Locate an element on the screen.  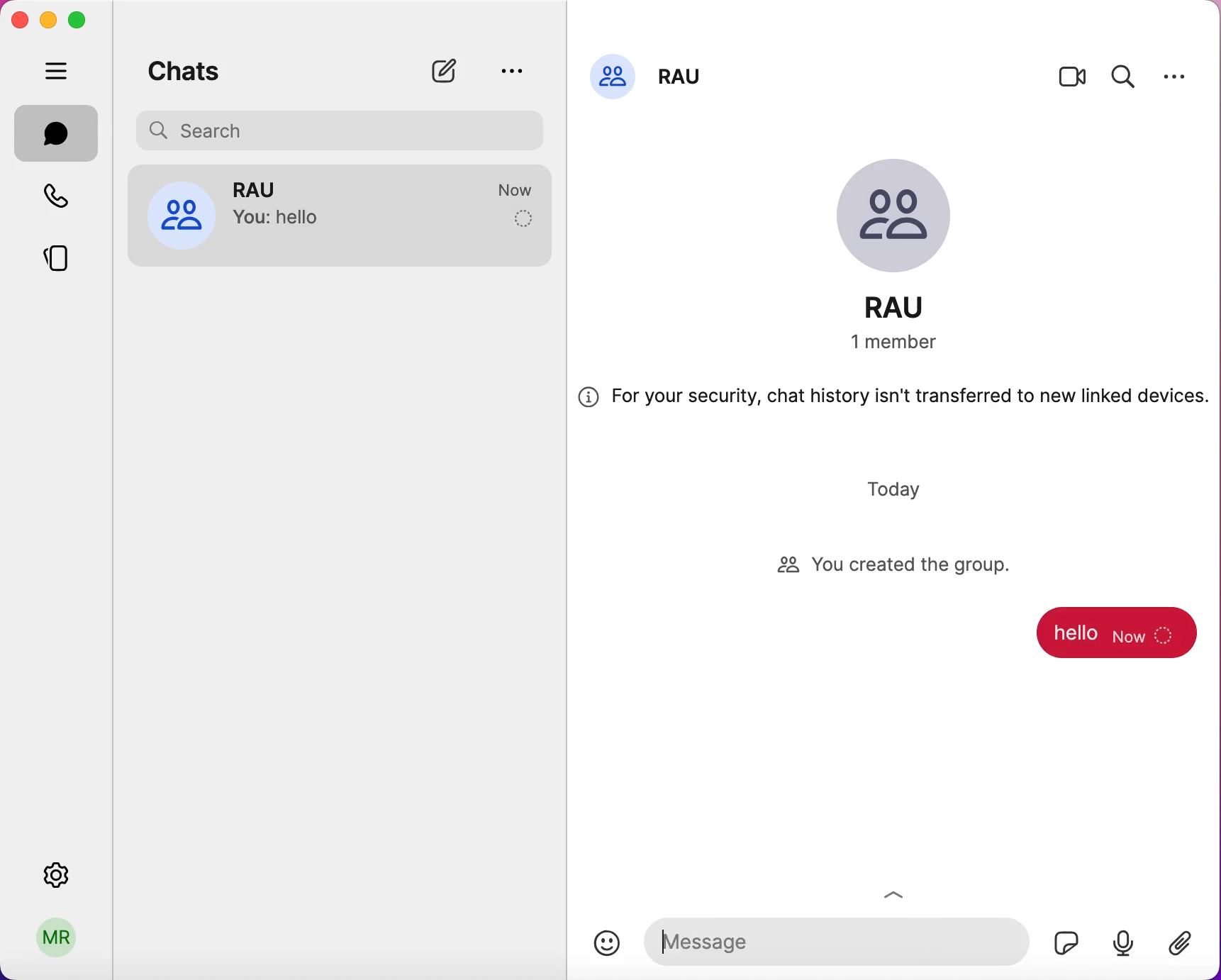
group  is located at coordinates (267, 188).